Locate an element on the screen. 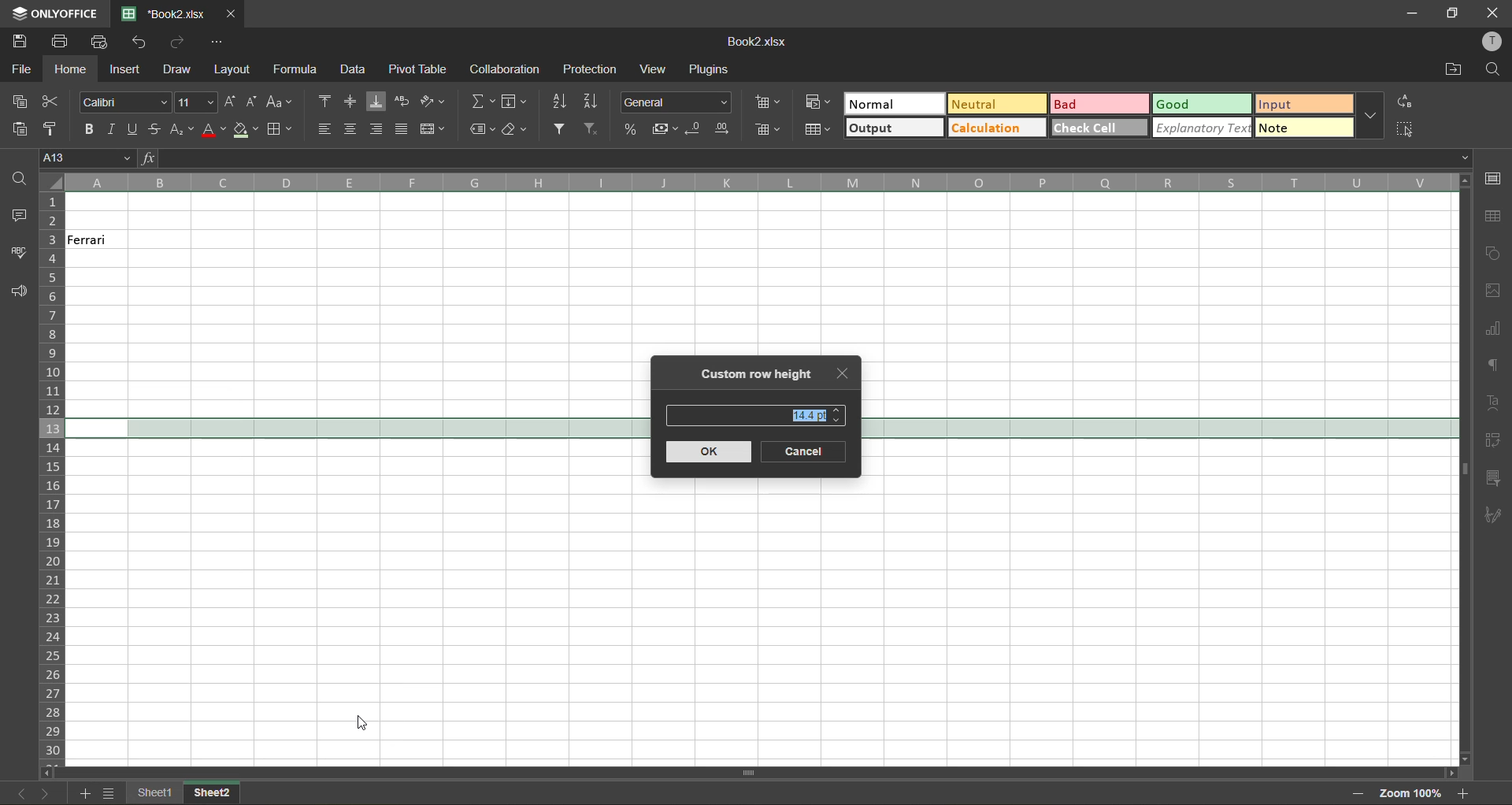 The width and height of the screenshot is (1512, 805). quick print is located at coordinates (102, 43).